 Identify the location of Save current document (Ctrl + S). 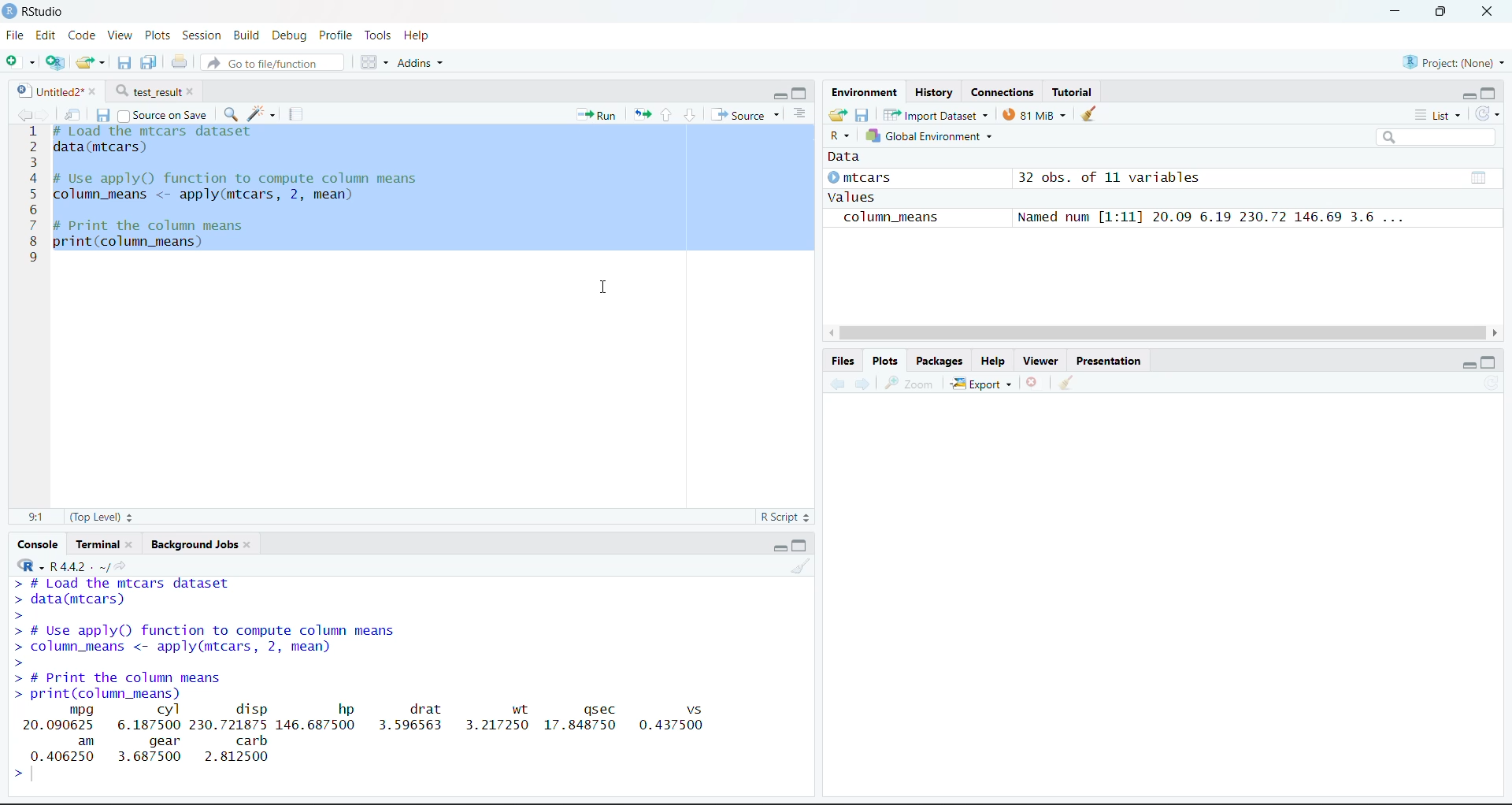
(103, 114).